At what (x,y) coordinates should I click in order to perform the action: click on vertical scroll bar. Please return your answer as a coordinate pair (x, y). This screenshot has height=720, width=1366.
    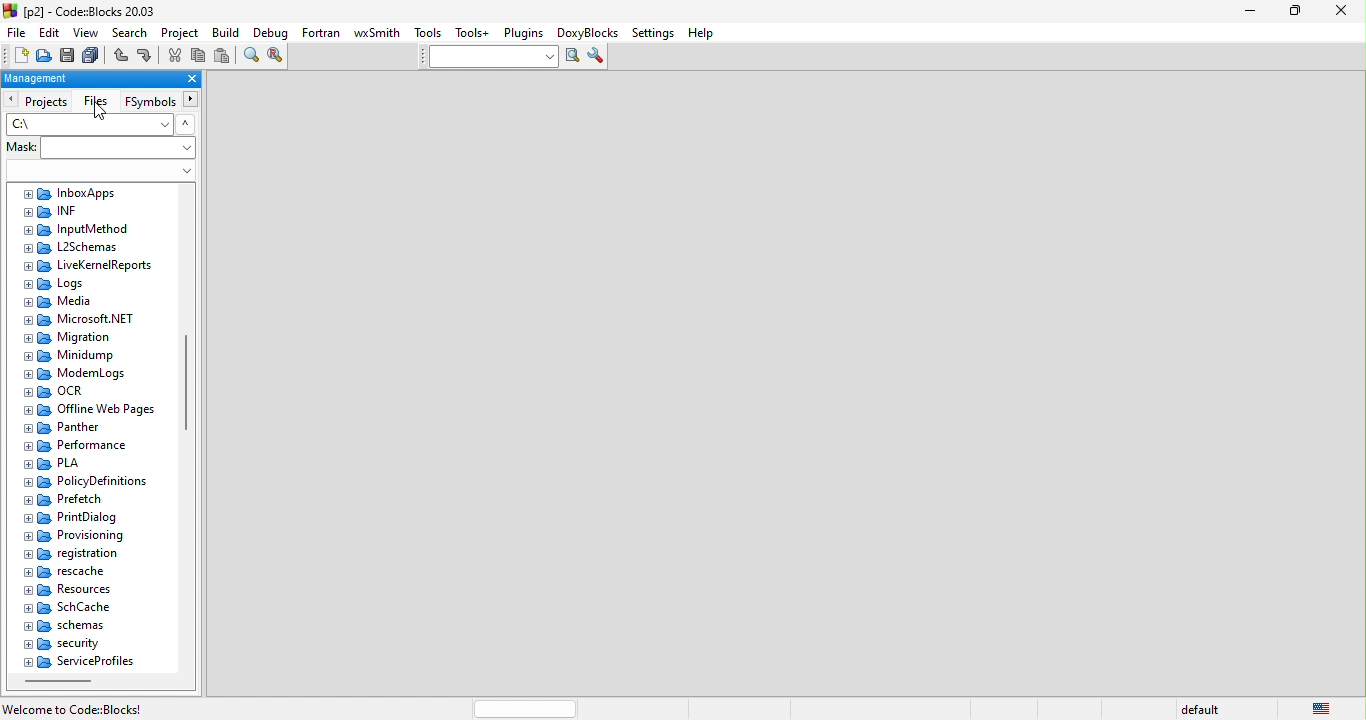
    Looking at the image, I should click on (189, 428).